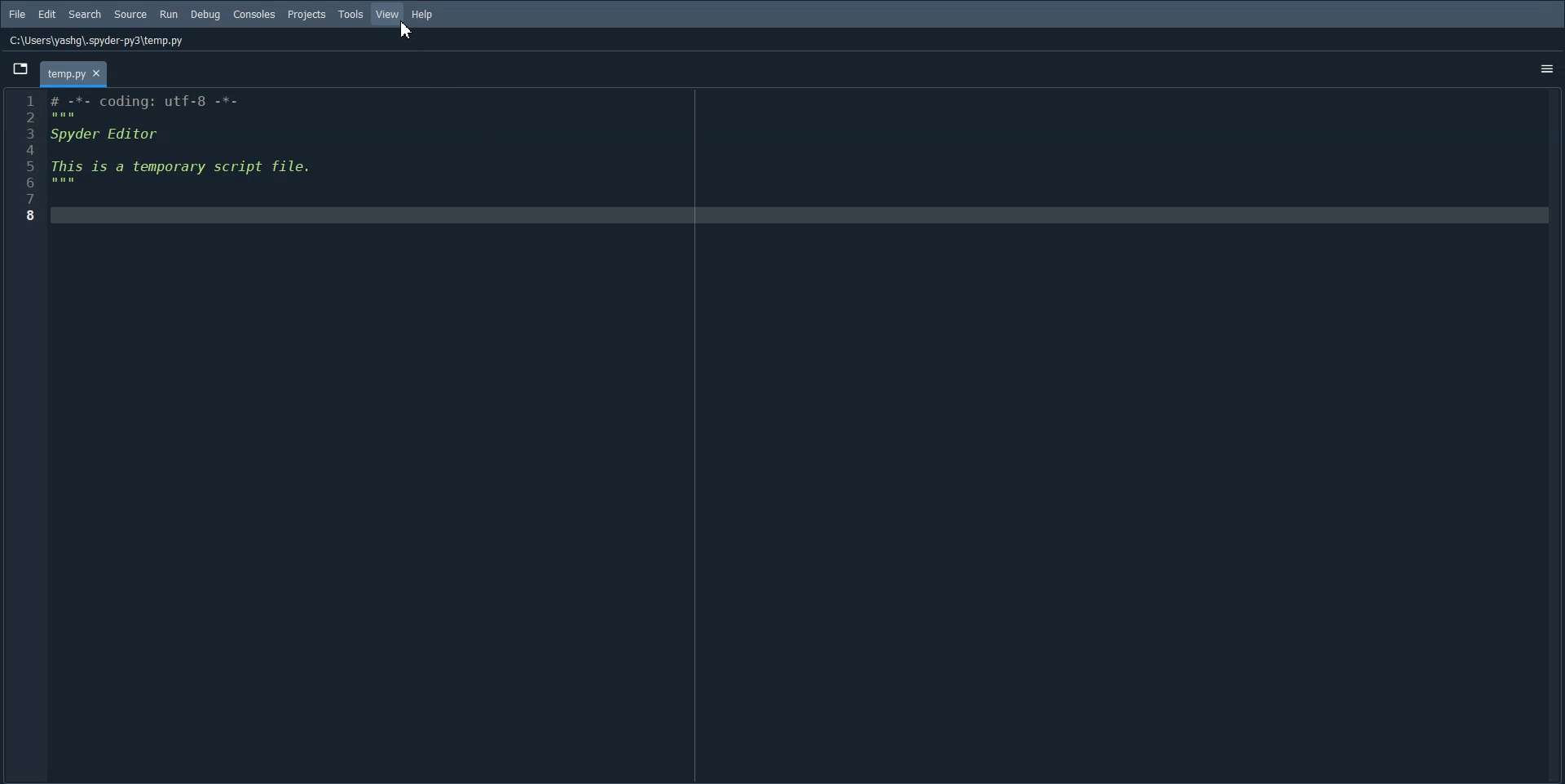  What do you see at coordinates (1546, 68) in the screenshot?
I see `Options` at bounding box center [1546, 68].